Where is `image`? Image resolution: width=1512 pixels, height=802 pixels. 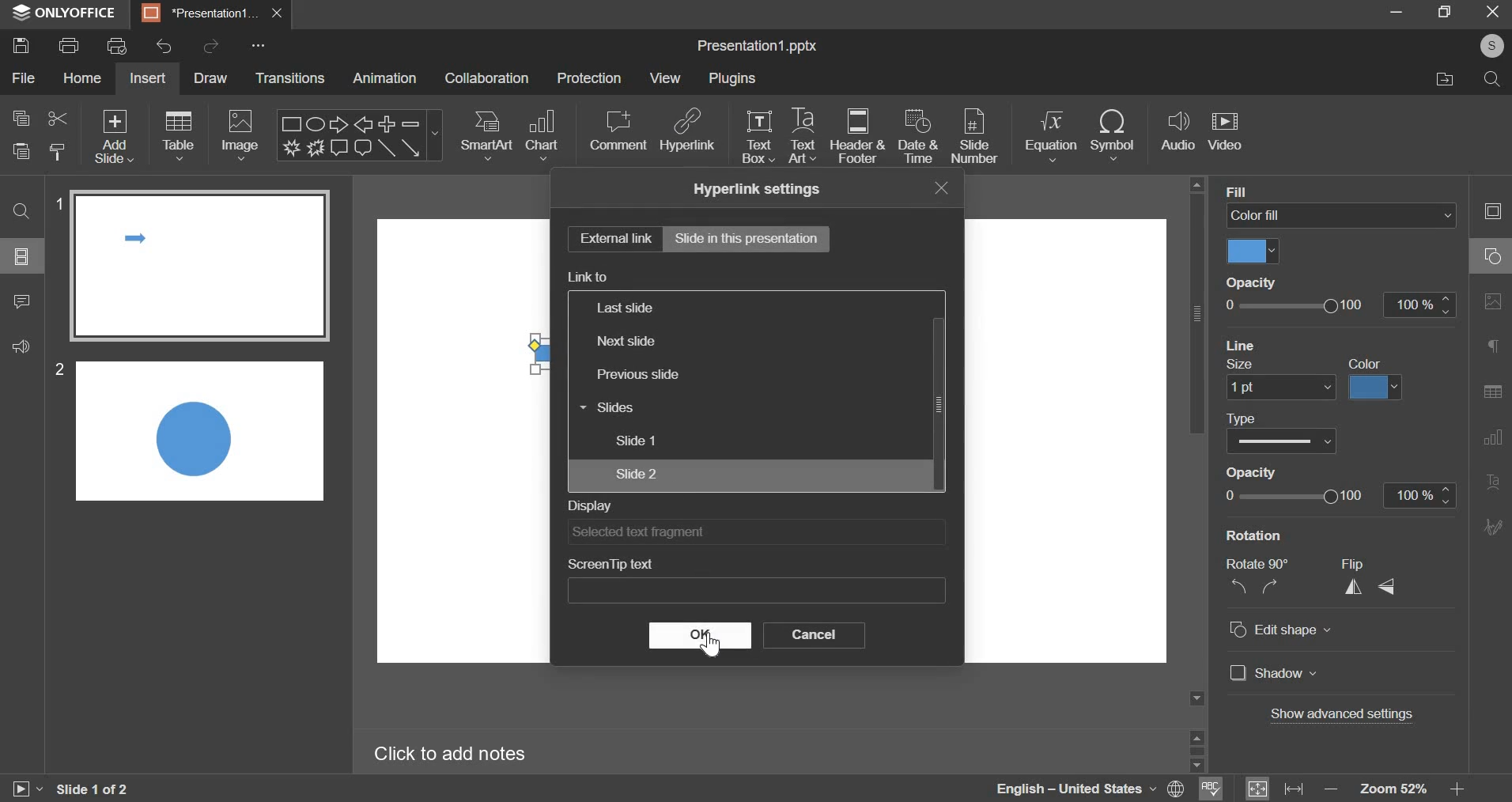
image is located at coordinates (242, 134).